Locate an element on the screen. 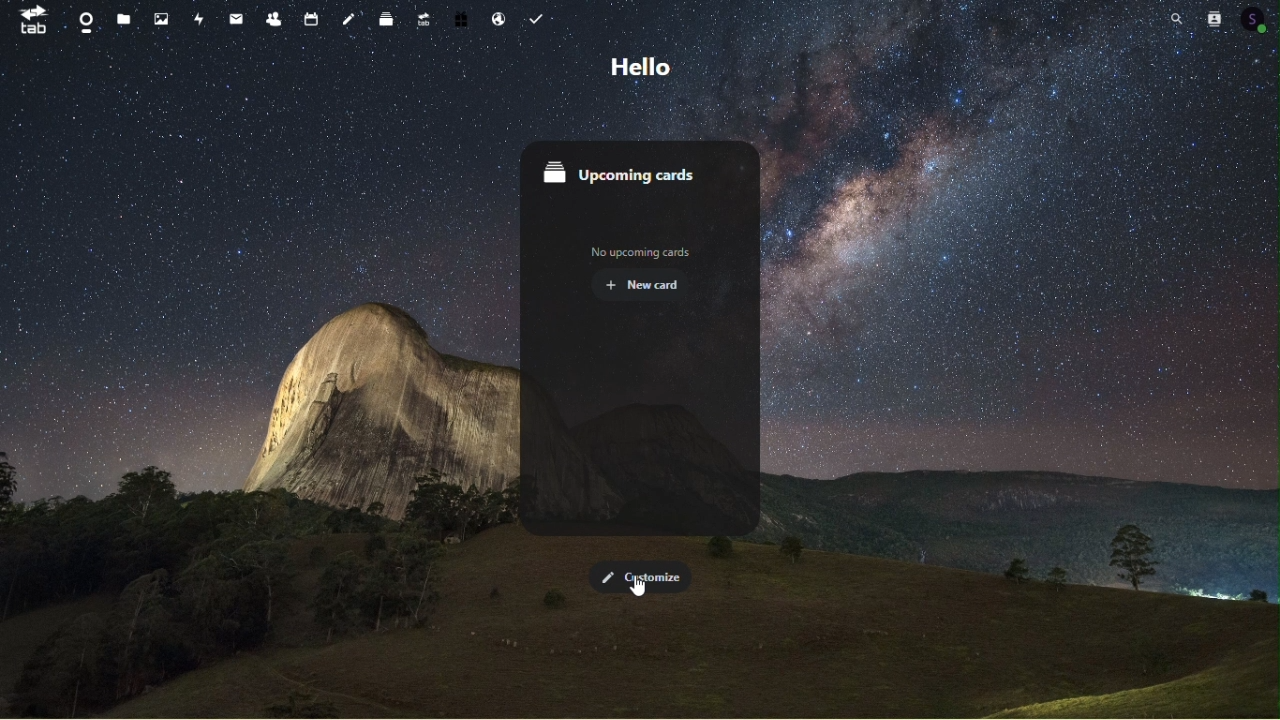 The width and height of the screenshot is (1280, 720). Account icon is located at coordinates (1258, 19).